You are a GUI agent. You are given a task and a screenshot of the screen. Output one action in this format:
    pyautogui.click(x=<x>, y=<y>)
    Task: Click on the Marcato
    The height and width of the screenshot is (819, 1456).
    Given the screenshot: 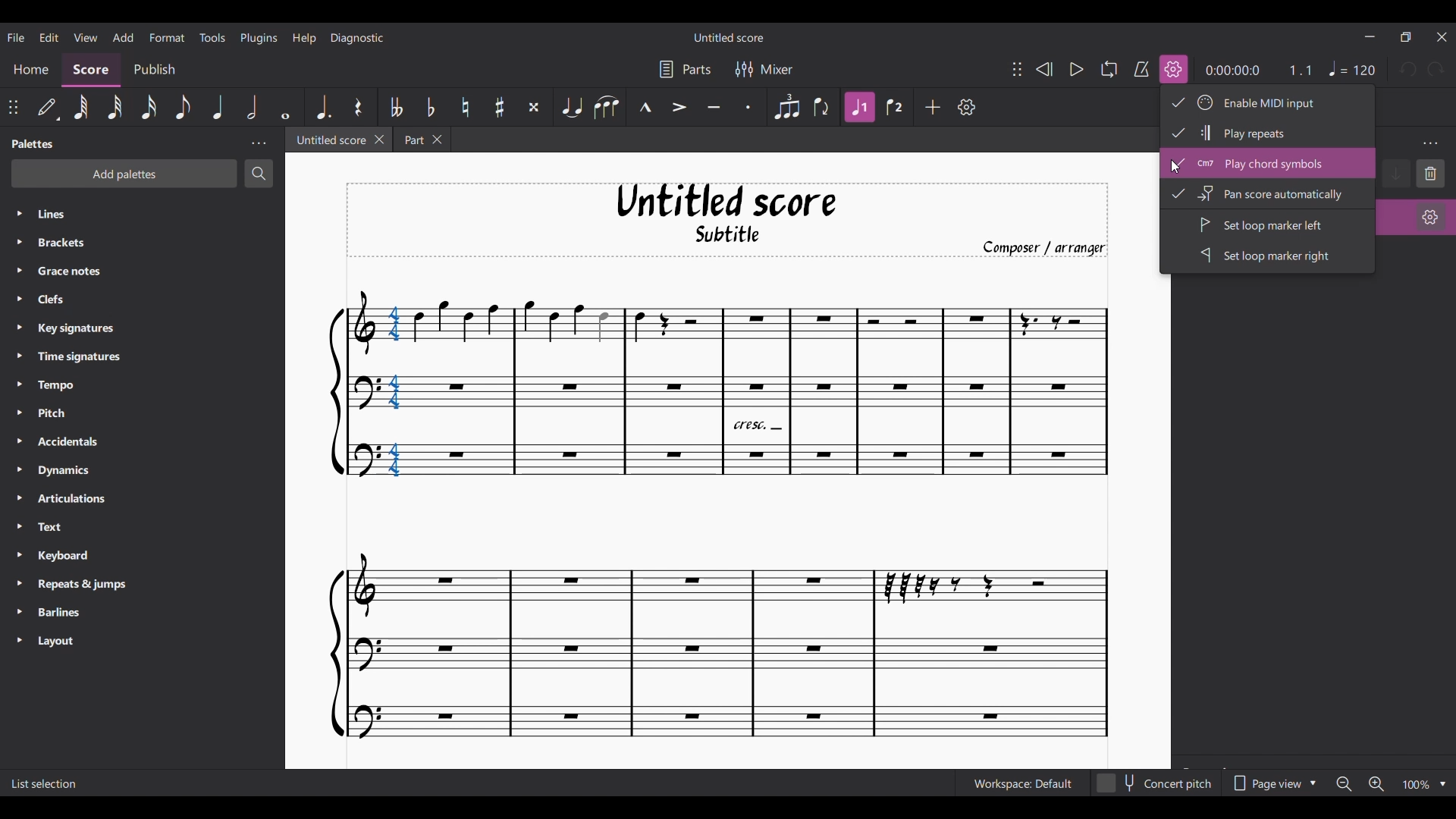 What is the action you would take?
    pyautogui.click(x=645, y=107)
    